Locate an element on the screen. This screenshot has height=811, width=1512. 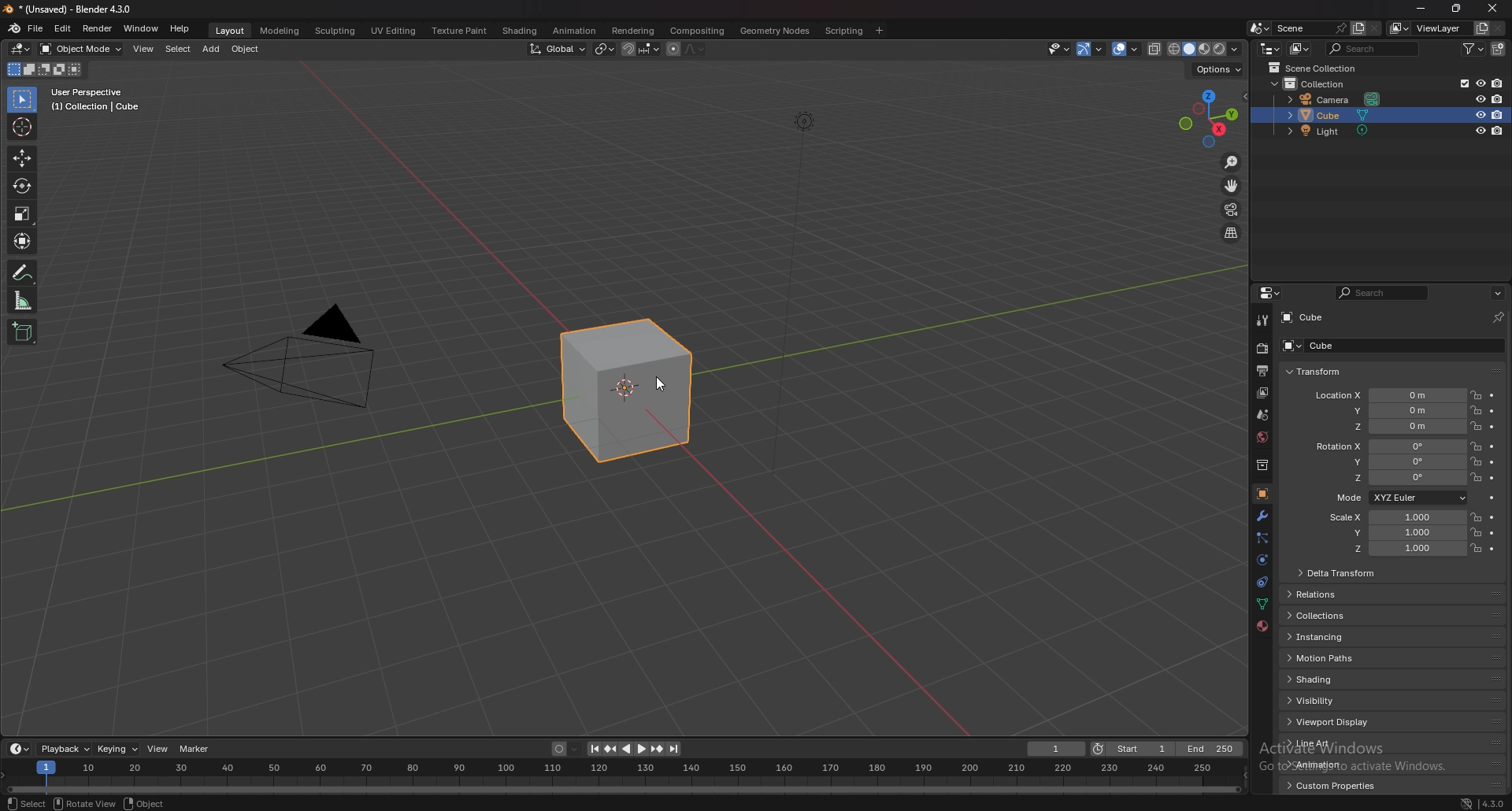
view layer is located at coordinates (1265, 392).